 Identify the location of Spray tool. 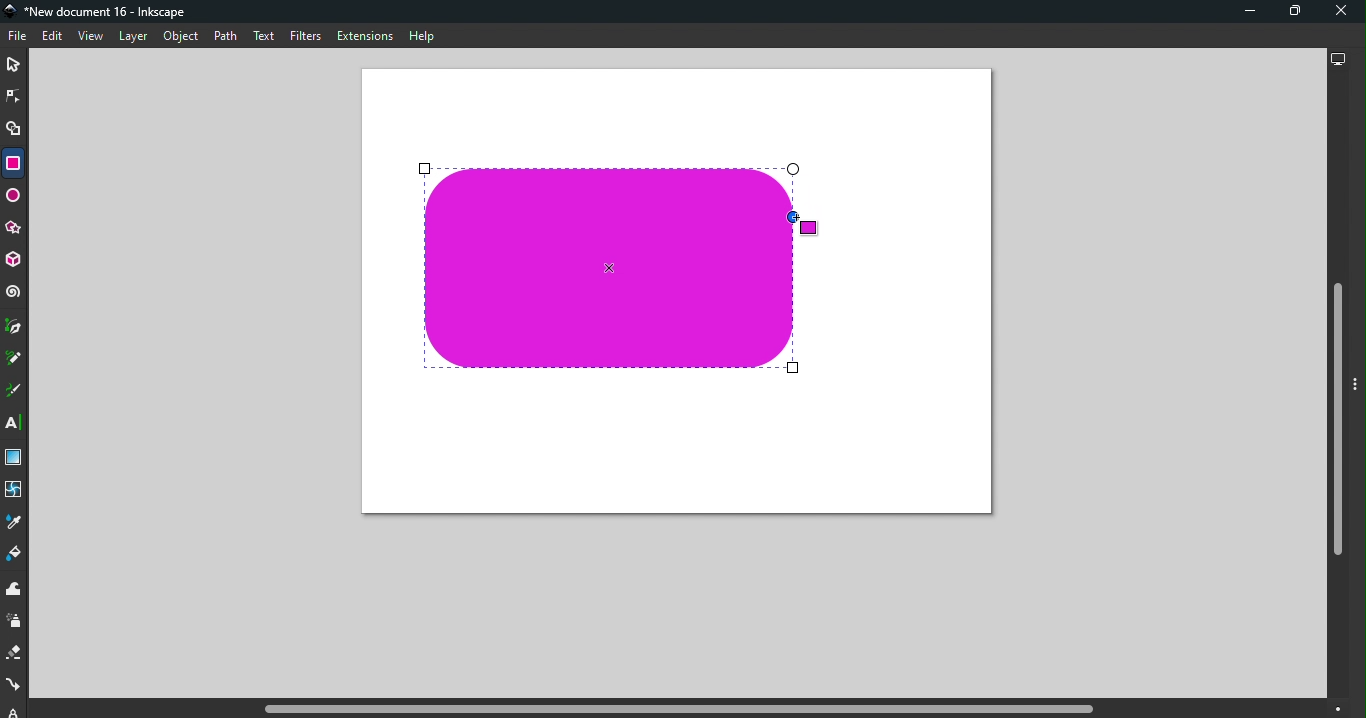
(17, 622).